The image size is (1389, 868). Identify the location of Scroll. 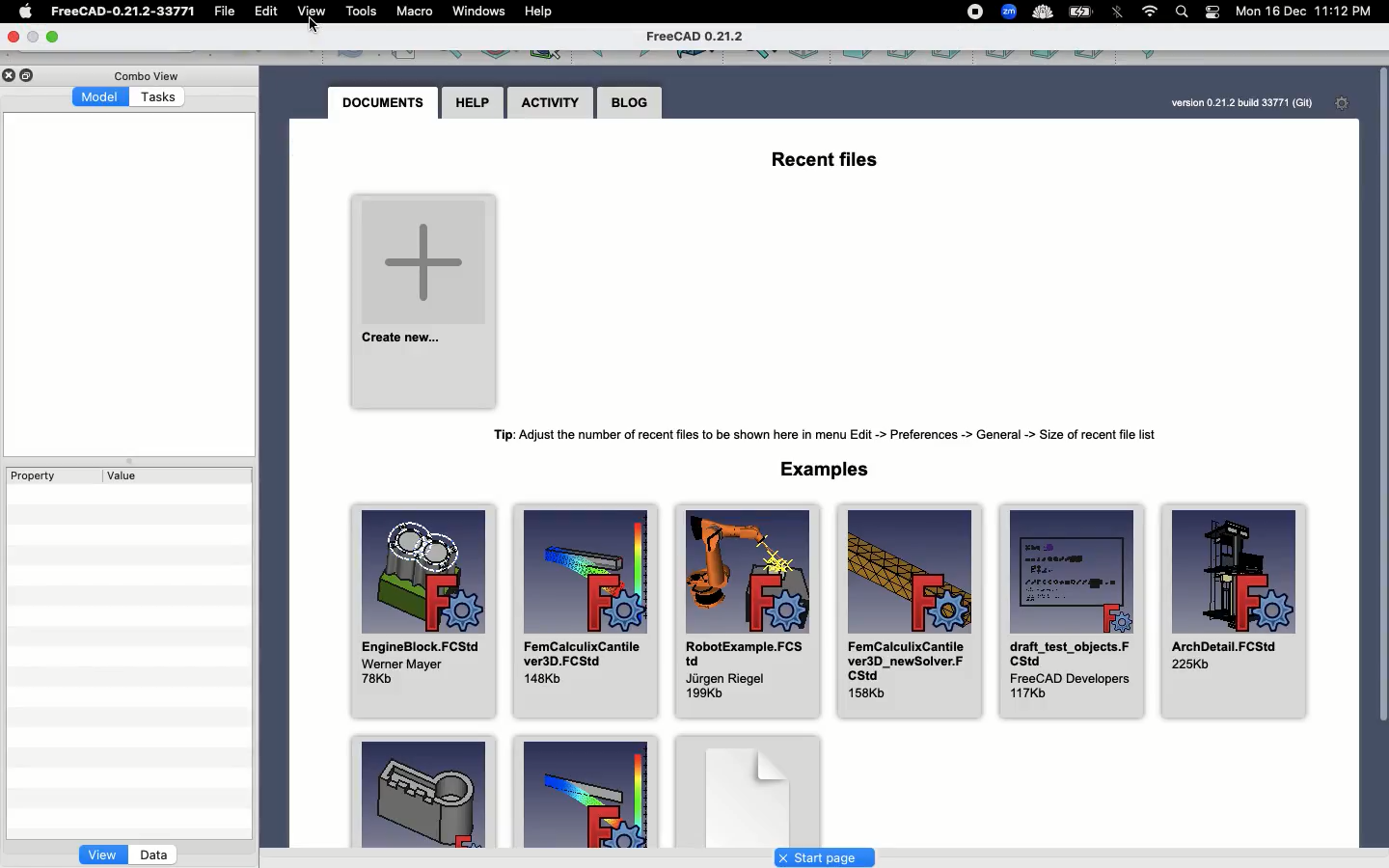
(1380, 453).